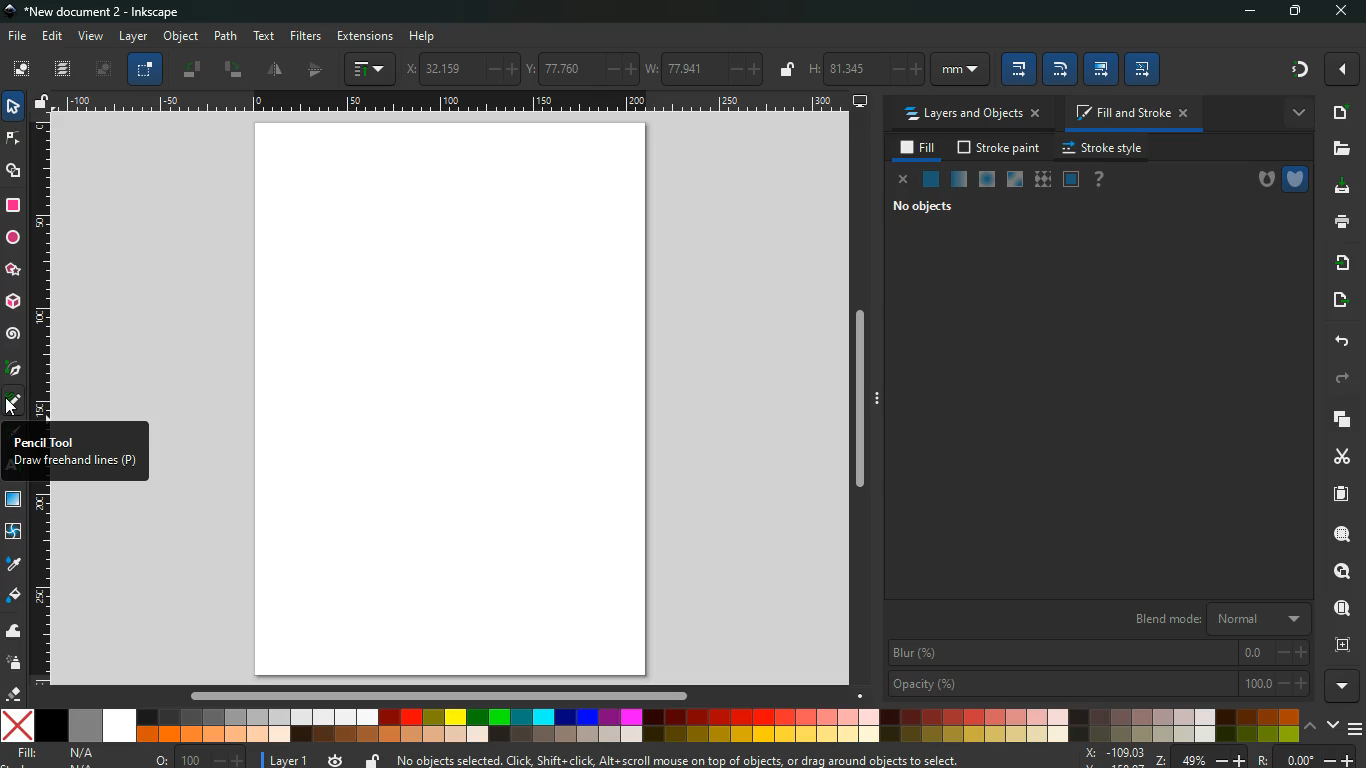  What do you see at coordinates (1337, 149) in the screenshot?
I see `files` at bounding box center [1337, 149].